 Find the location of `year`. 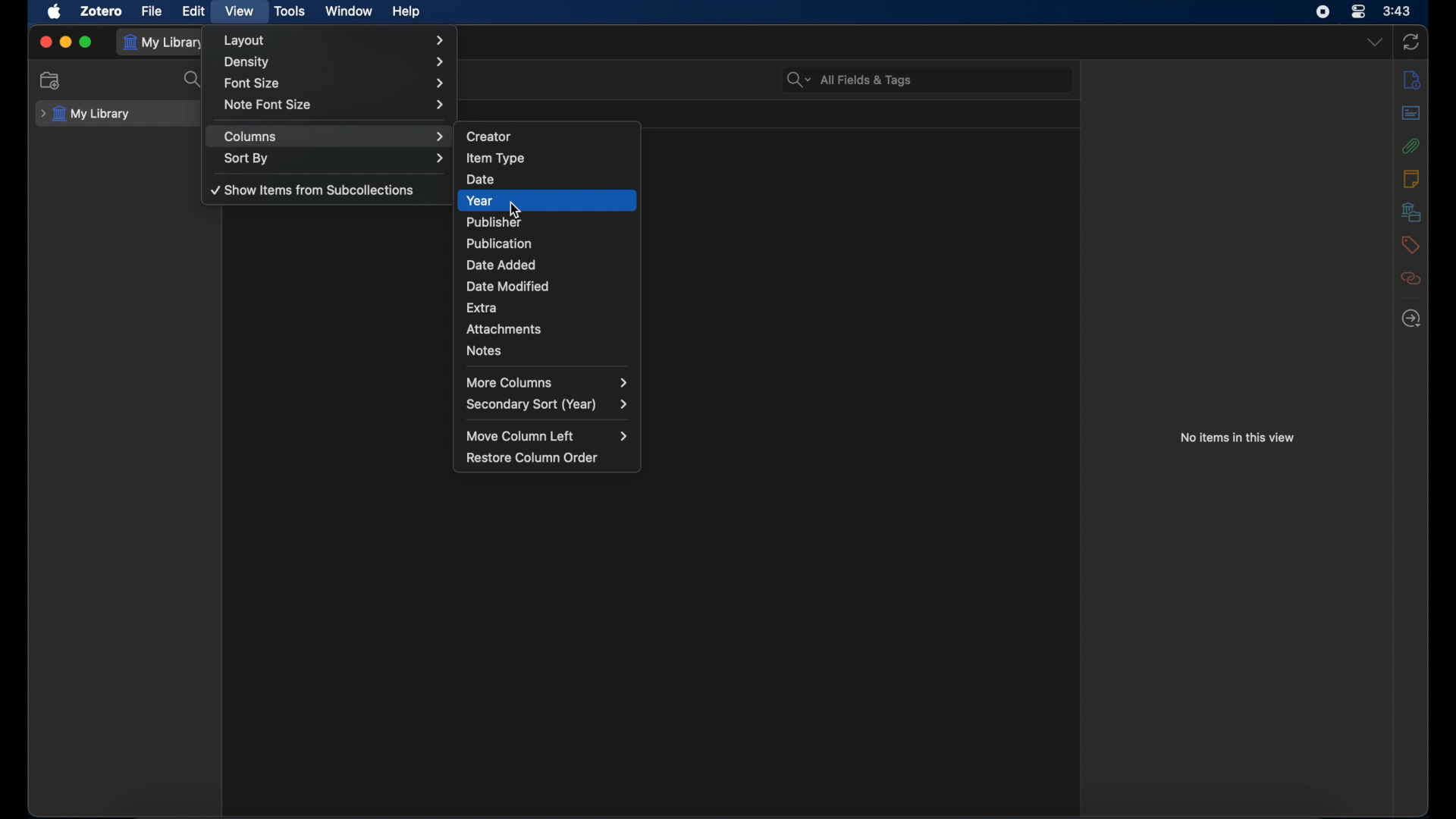

year is located at coordinates (544, 201).